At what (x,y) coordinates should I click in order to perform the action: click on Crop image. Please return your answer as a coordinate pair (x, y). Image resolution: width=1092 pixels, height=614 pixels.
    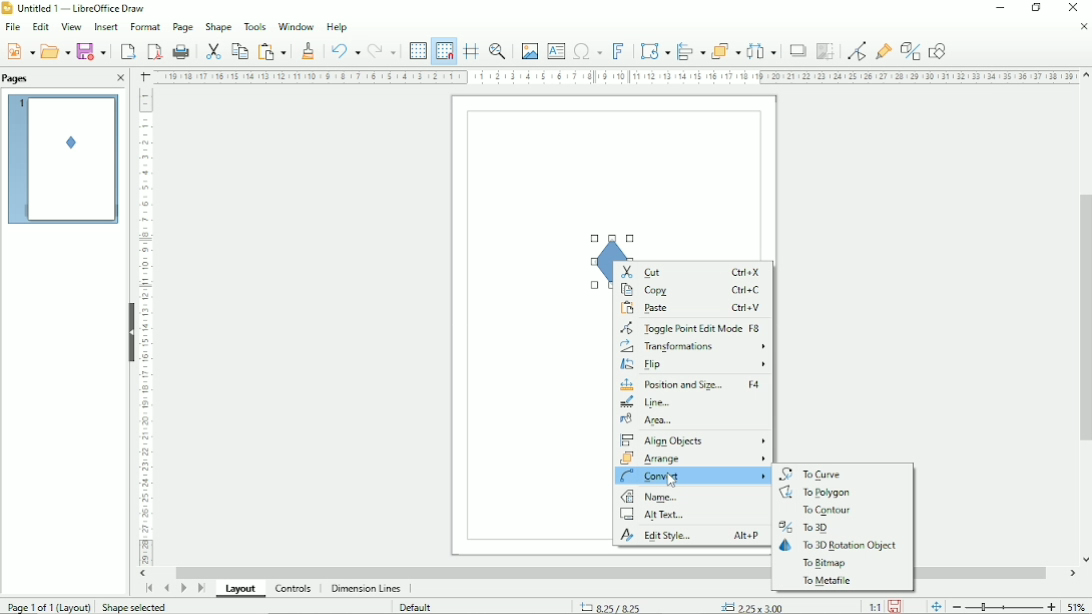
    Looking at the image, I should click on (824, 52).